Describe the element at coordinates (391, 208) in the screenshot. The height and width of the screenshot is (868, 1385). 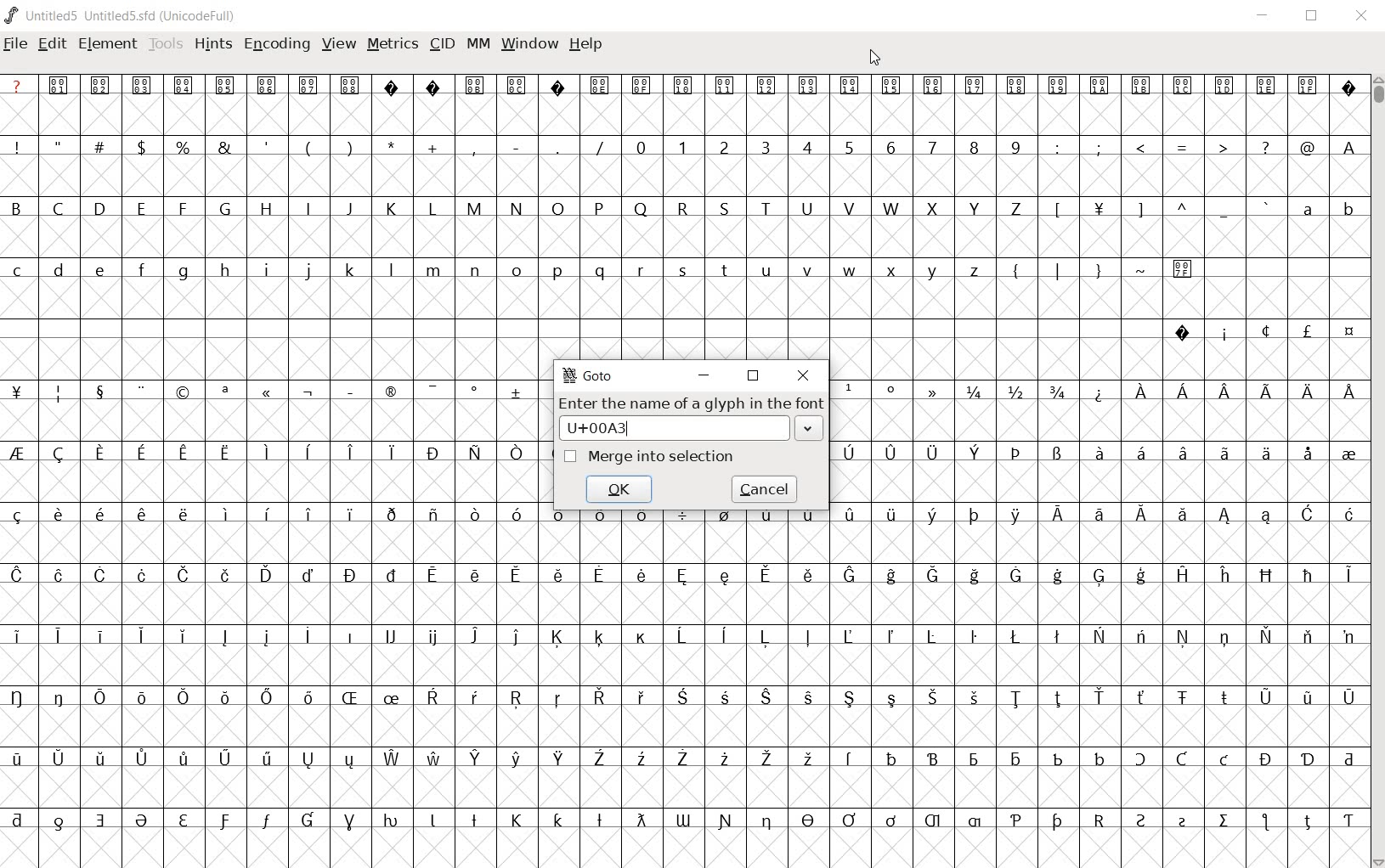
I see `K` at that location.